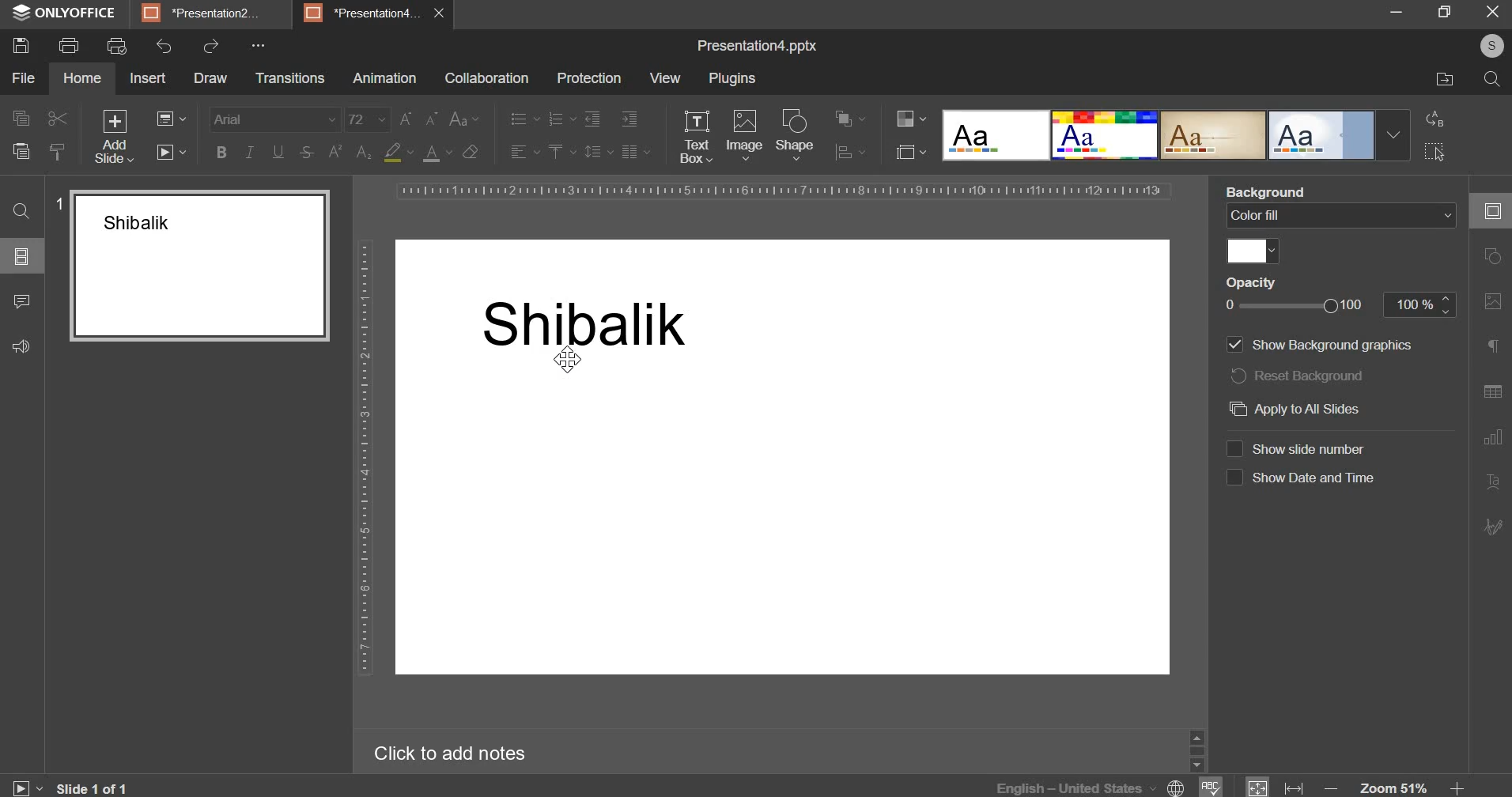 The image size is (1512, 797). What do you see at coordinates (210, 15) in the screenshot?
I see `Presentation2` at bounding box center [210, 15].